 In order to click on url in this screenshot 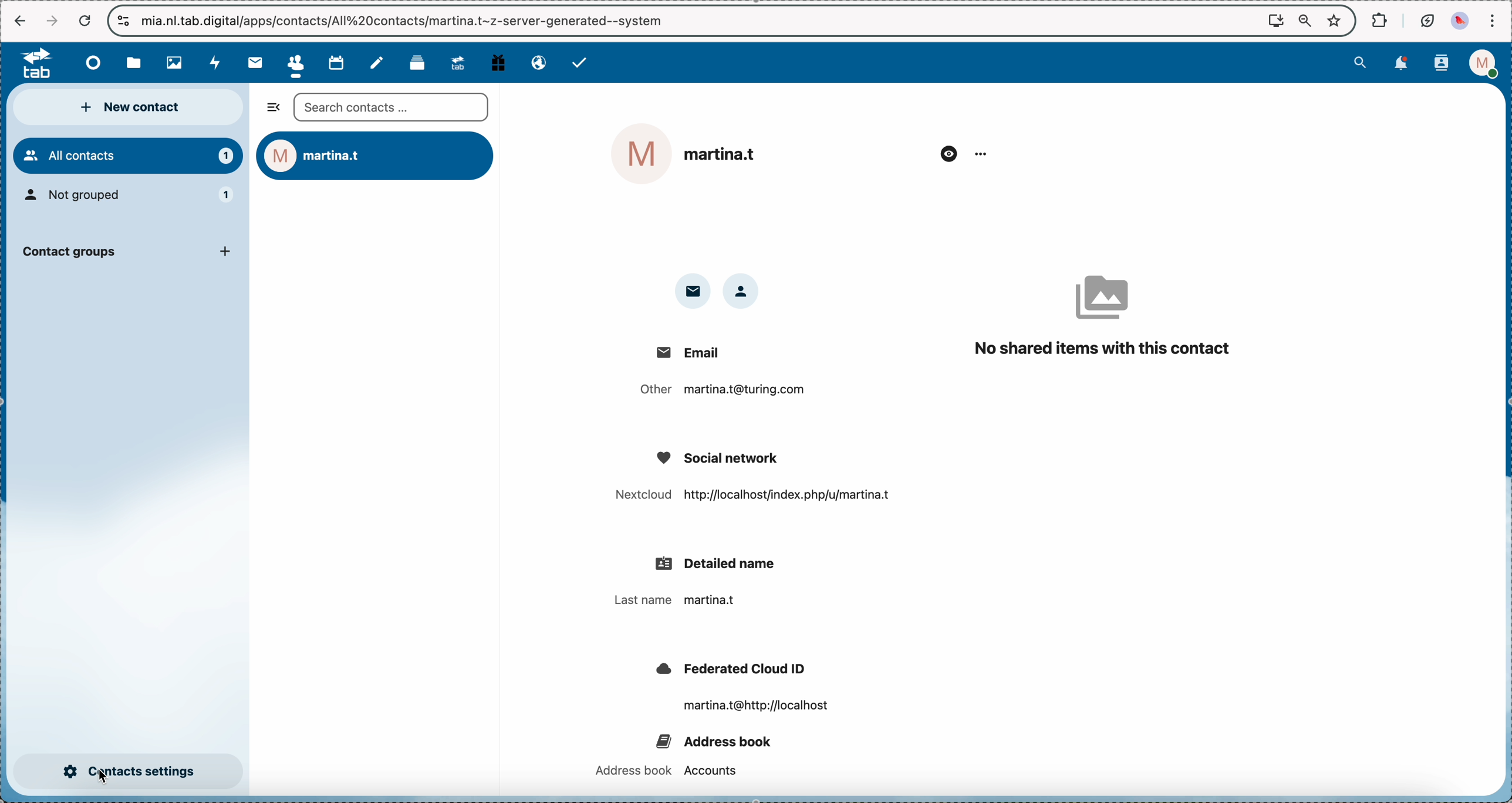, I will do `click(247, 22)`.